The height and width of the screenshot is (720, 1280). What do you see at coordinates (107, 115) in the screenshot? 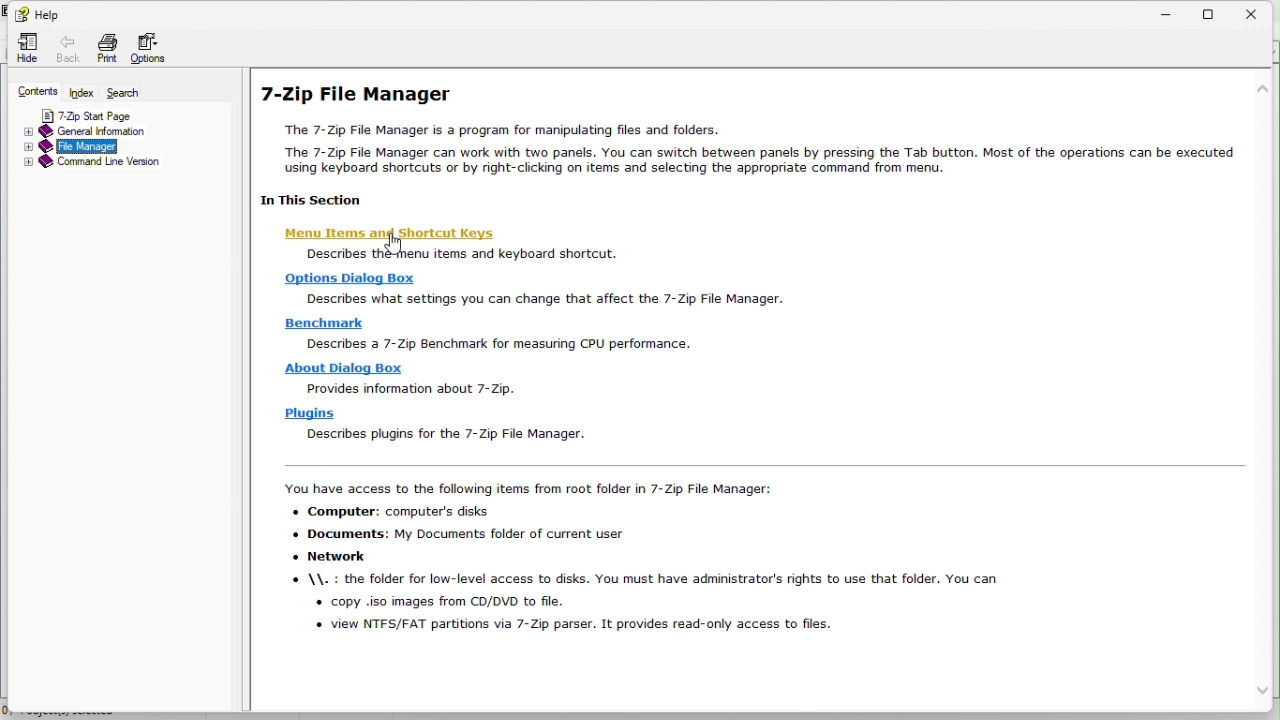
I see `7 zip start page` at bounding box center [107, 115].